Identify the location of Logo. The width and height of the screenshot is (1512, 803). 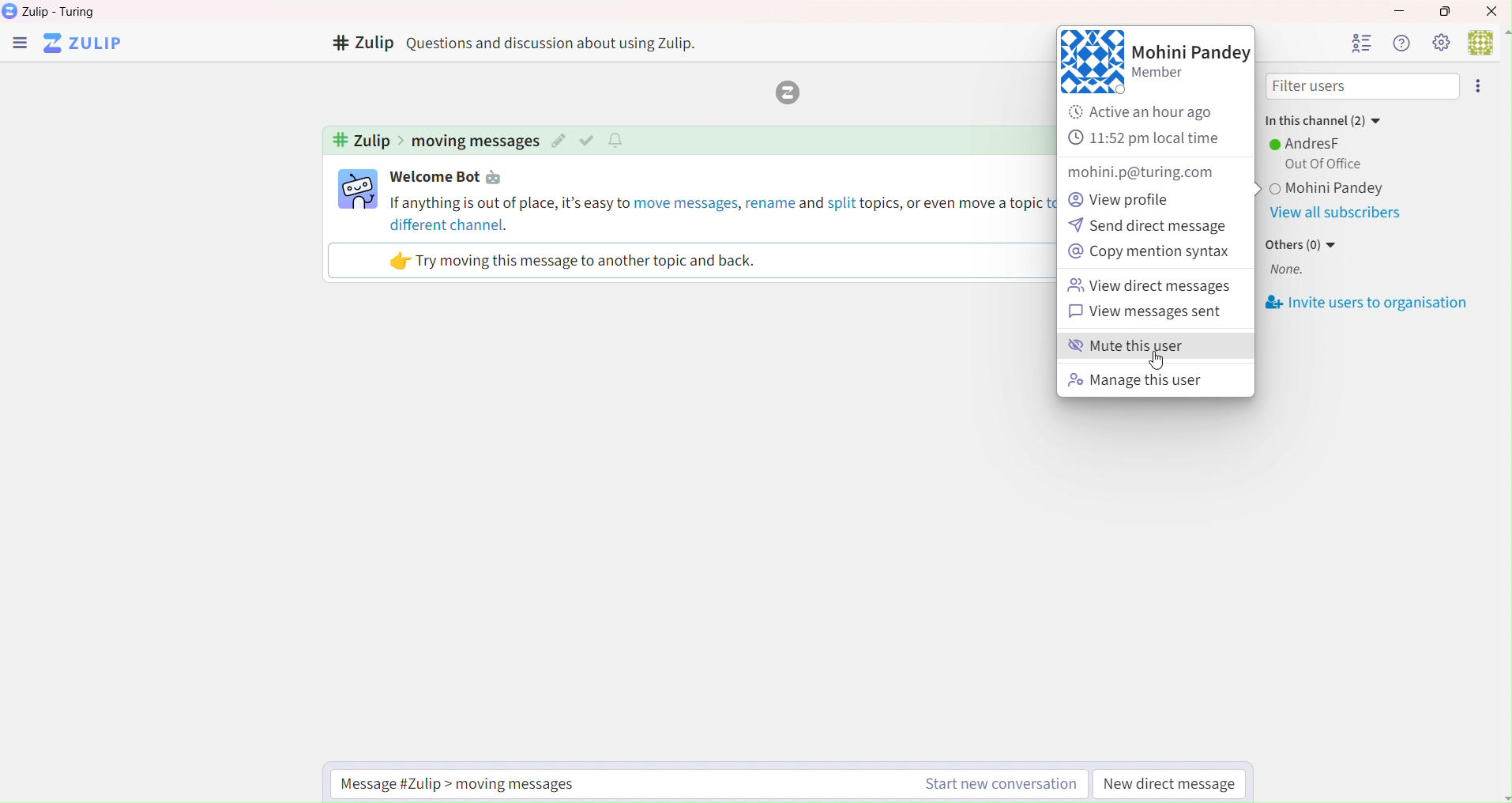
(784, 93).